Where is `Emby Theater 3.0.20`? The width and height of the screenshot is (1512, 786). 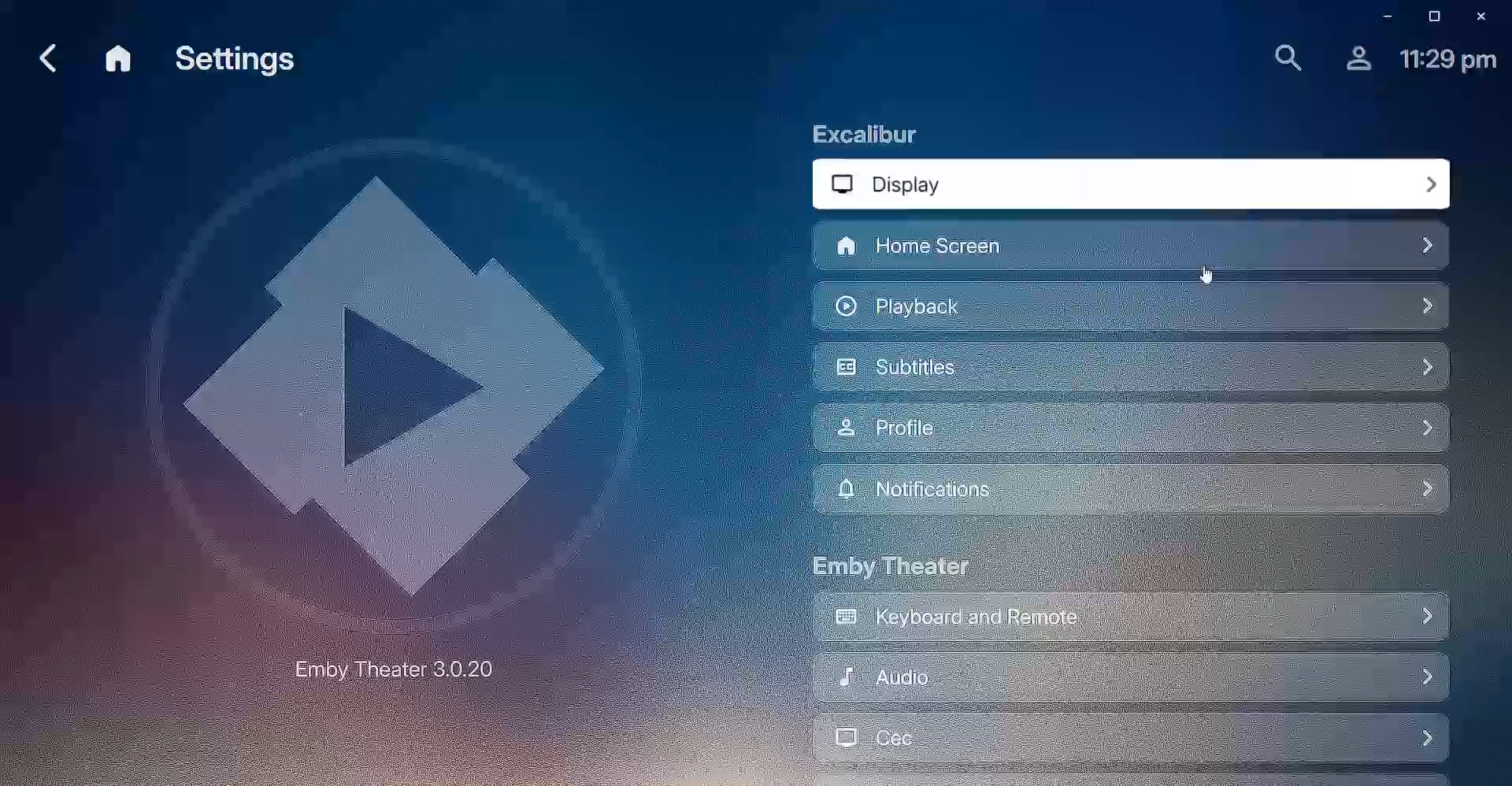
Emby Theater 3.0.20 is located at coordinates (404, 671).